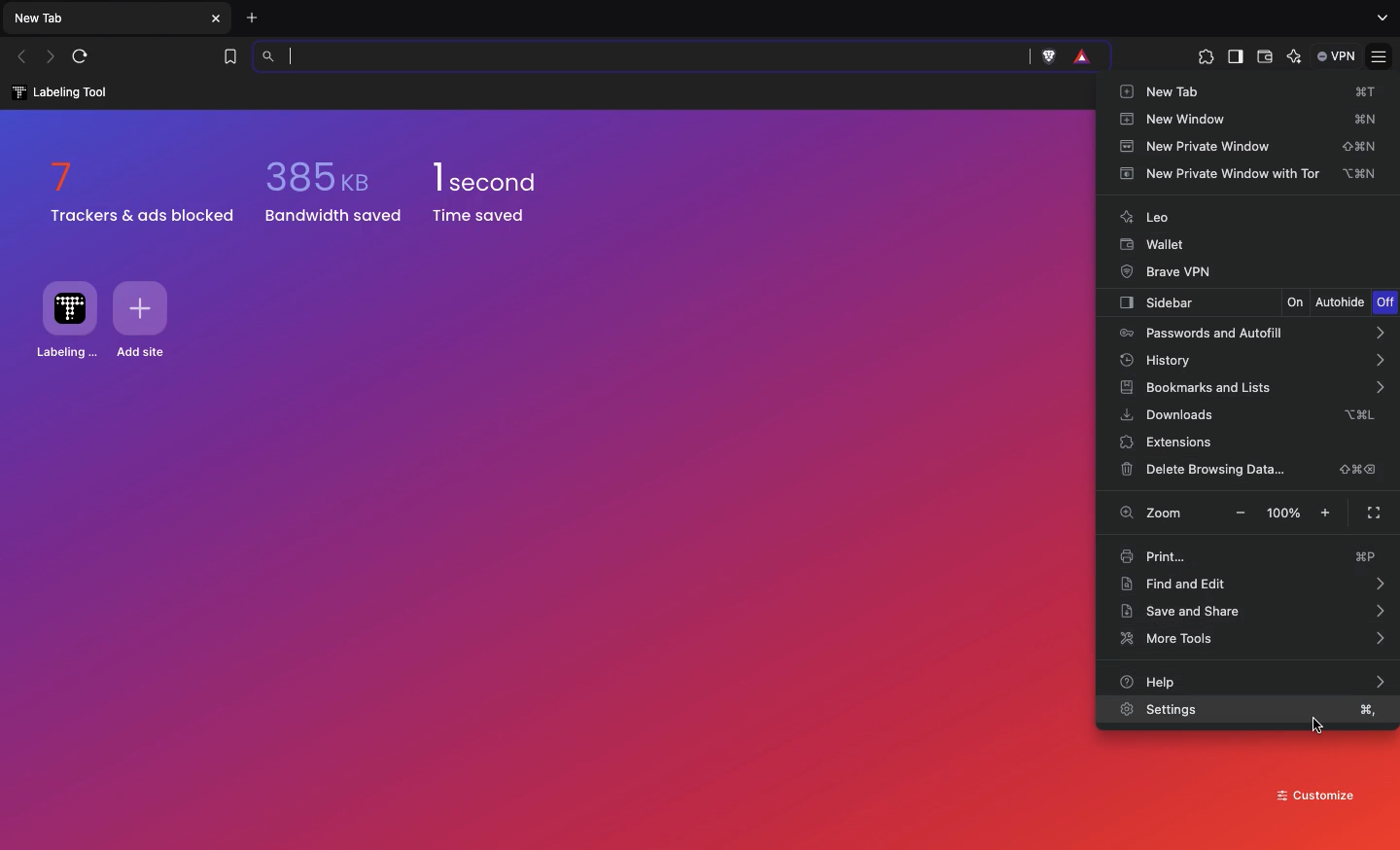 Image resolution: width=1400 pixels, height=850 pixels. Describe the element at coordinates (80, 57) in the screenshot. I see `Refresh page` at that location.